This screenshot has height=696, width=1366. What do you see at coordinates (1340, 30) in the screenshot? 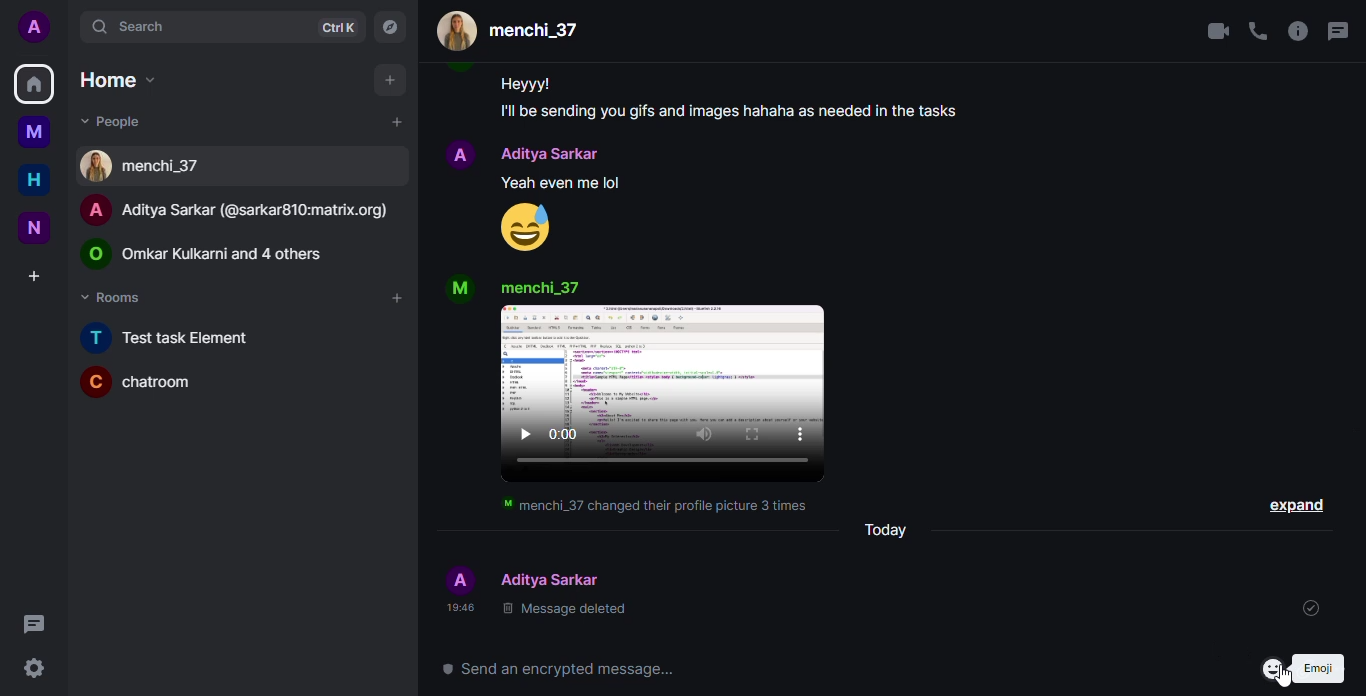
I see `threads` at bounding box center [1340, 30].